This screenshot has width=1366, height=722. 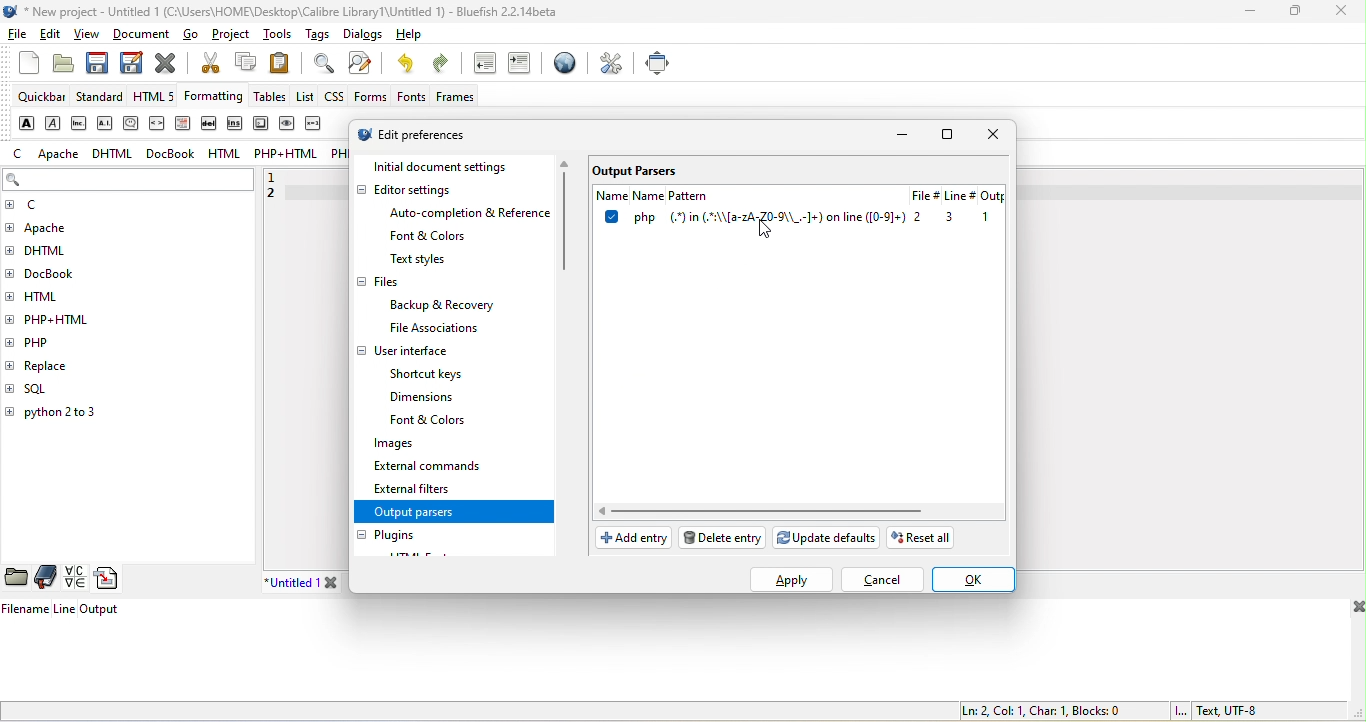 I want to click on css, so click(x=335, y=99).